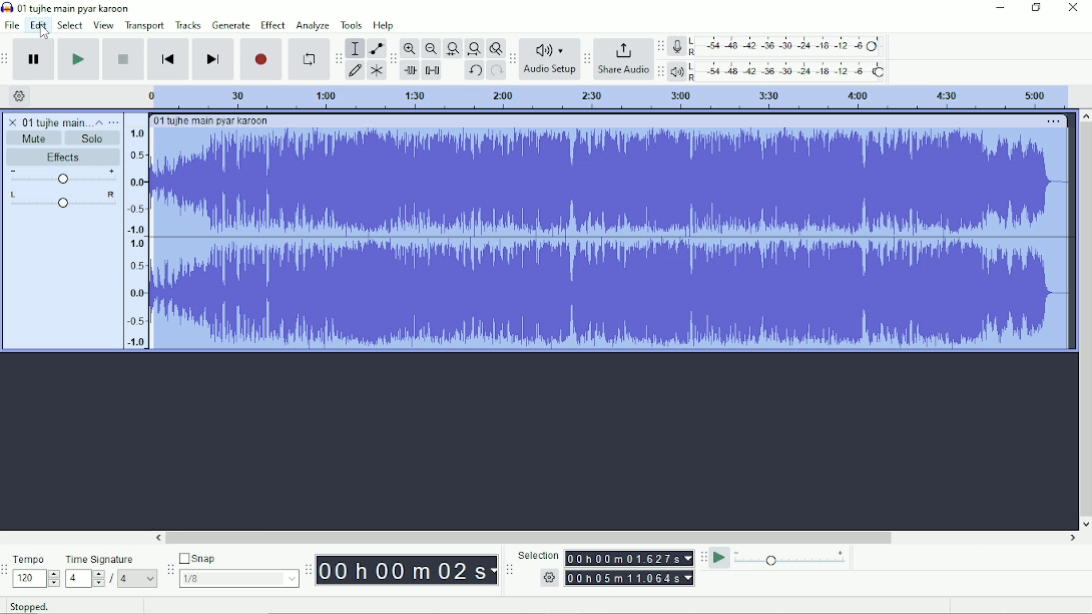 The height and width of the screenshot is (614, 1092). What do you see at coordinates (104, 25) in the screenshot?
I see `View` at bounding box center [104, 25].